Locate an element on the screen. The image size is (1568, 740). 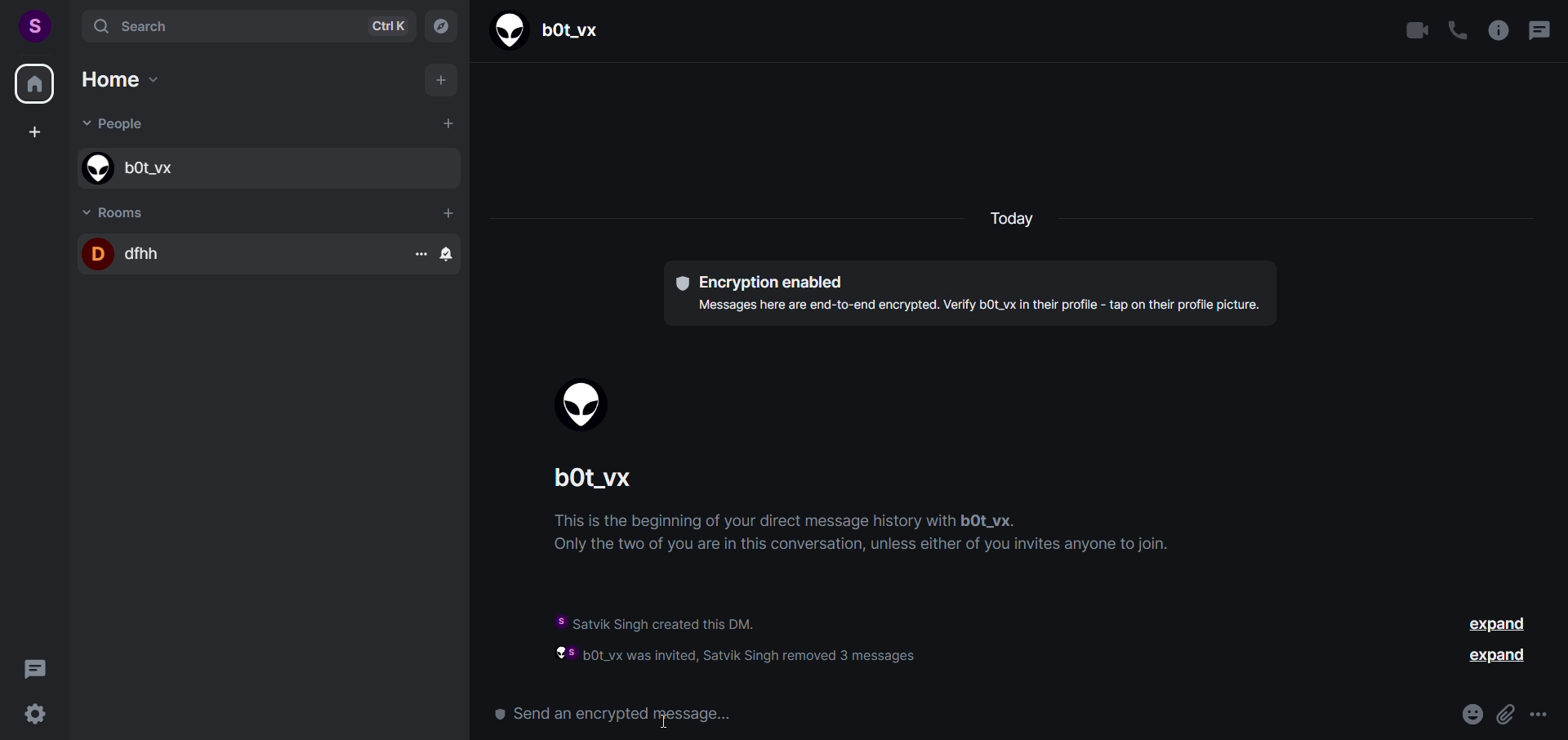
call is located at coordinates (1456, 32).